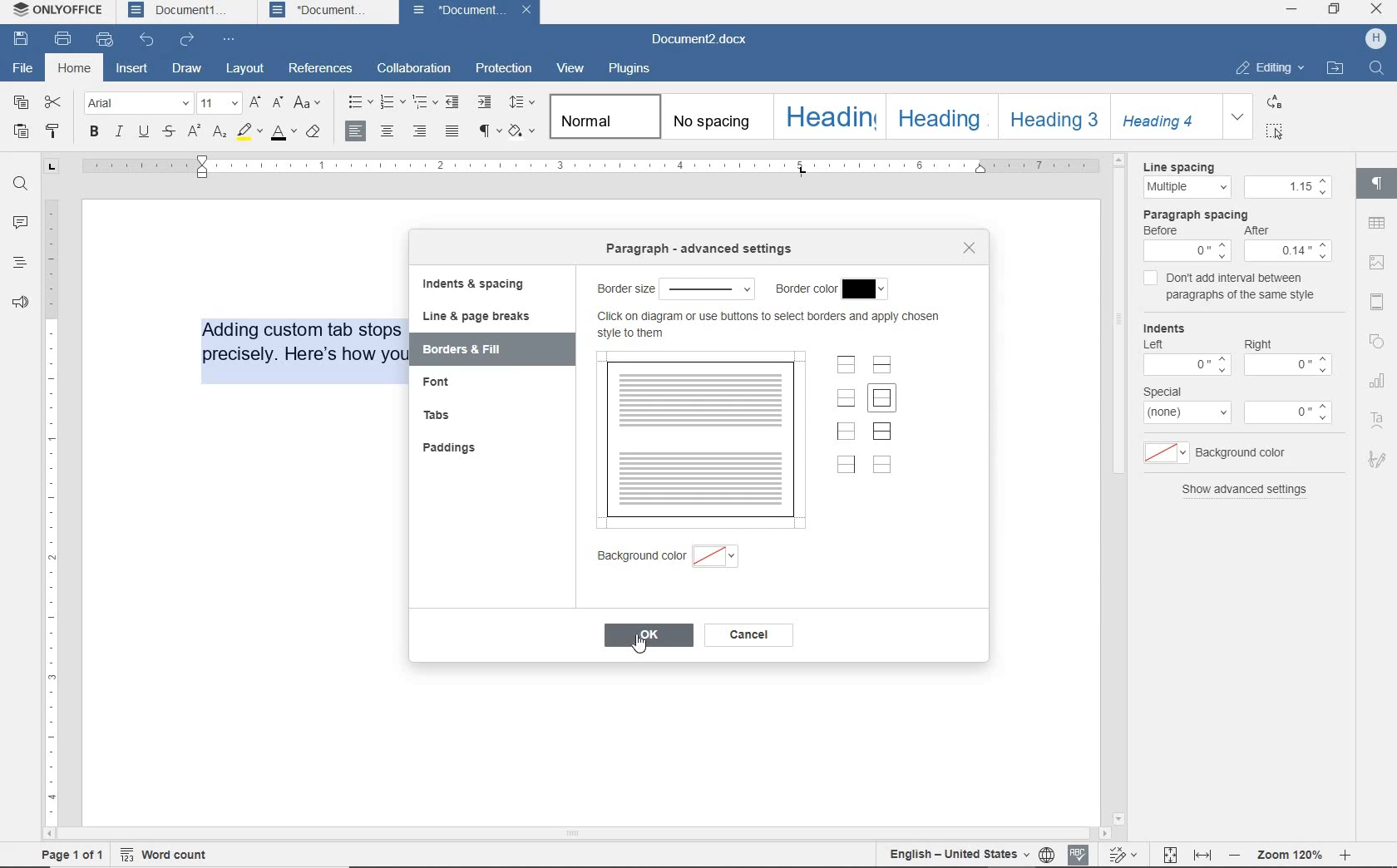  What do you see at coordinates (187, 69) in the screenshot?
I see `draw` at bounding box center [187, 69].